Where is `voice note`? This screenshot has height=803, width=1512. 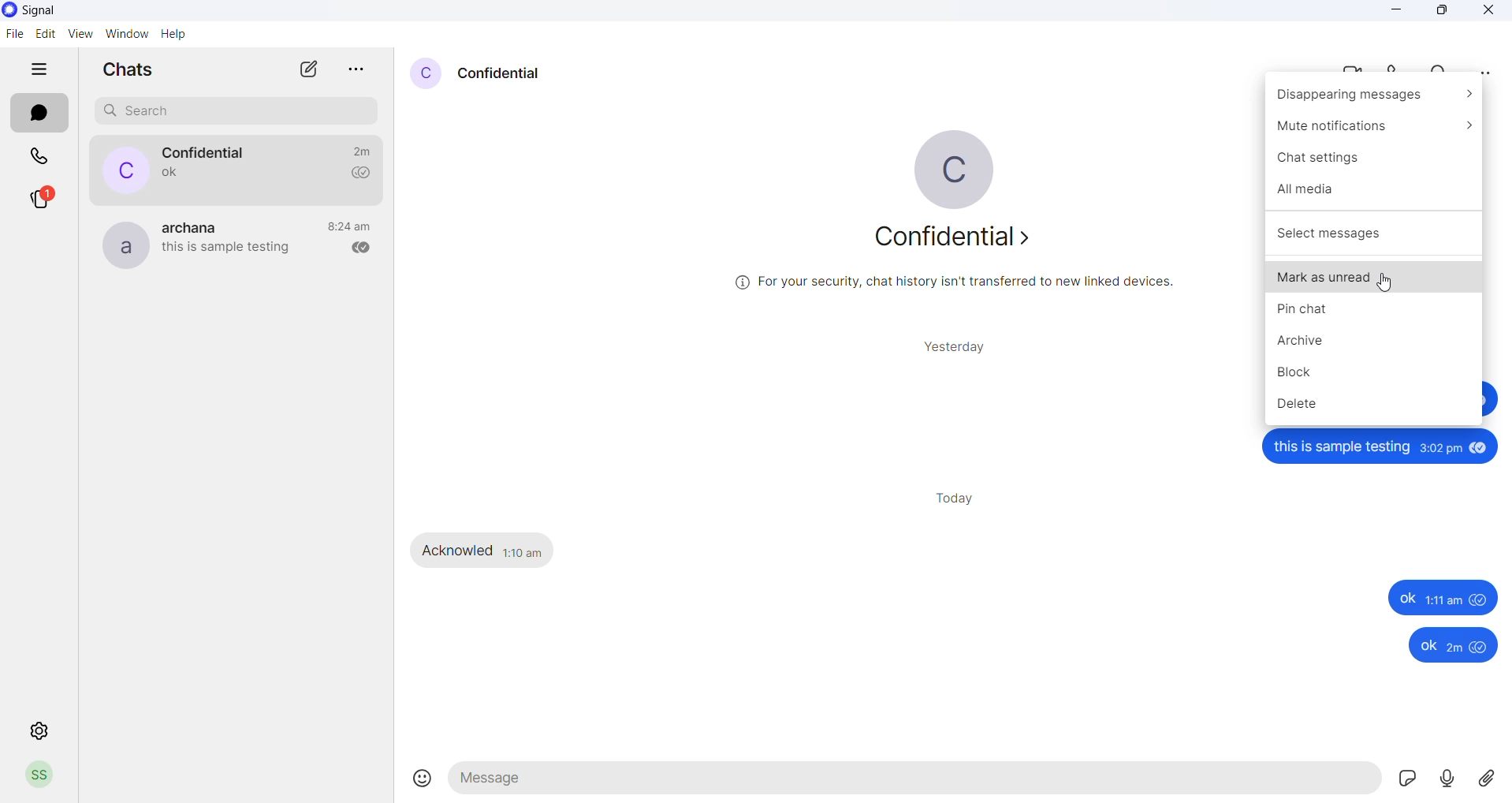
voice note is located at coordinates (1447, 781).